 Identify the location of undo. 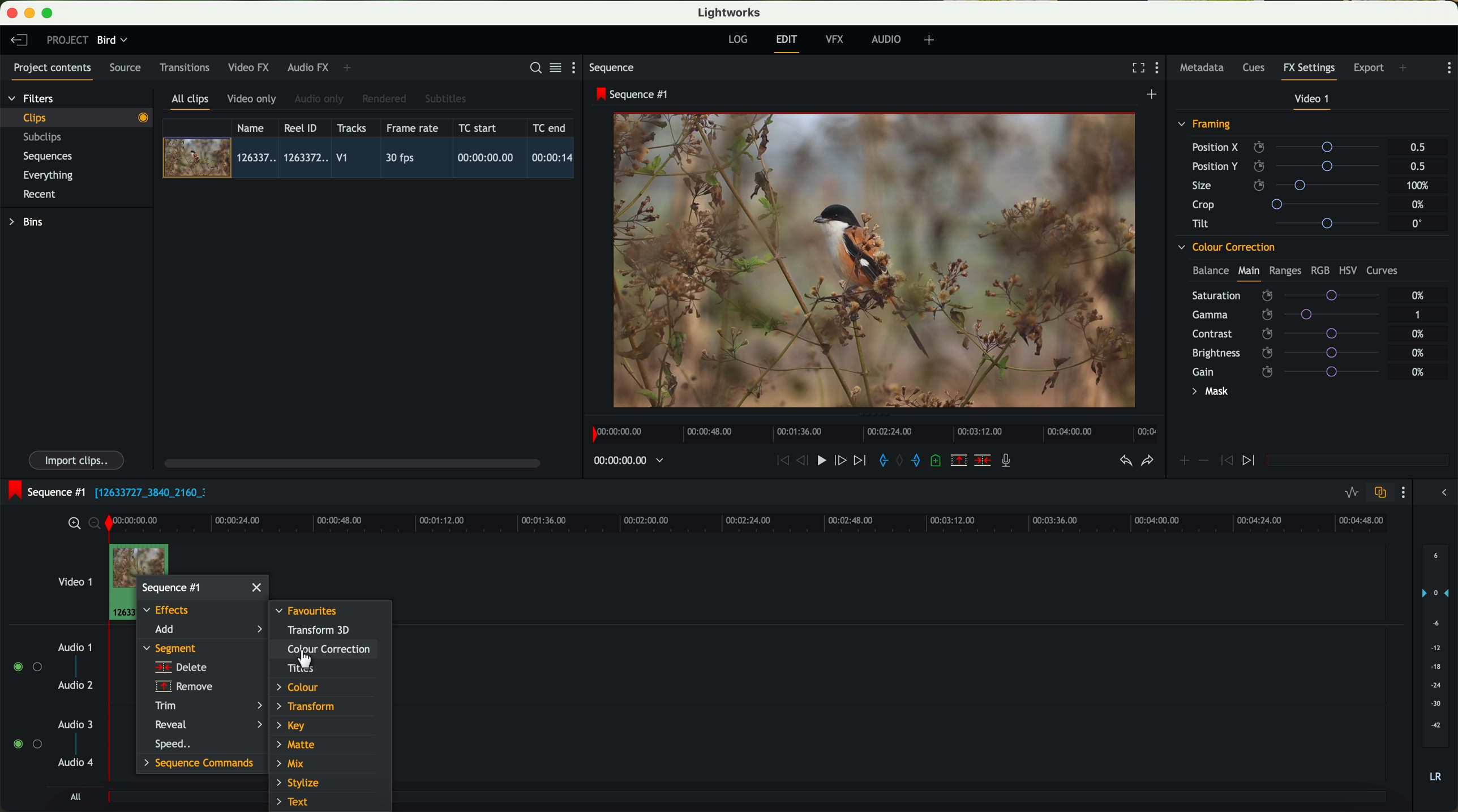
(1125, 461).